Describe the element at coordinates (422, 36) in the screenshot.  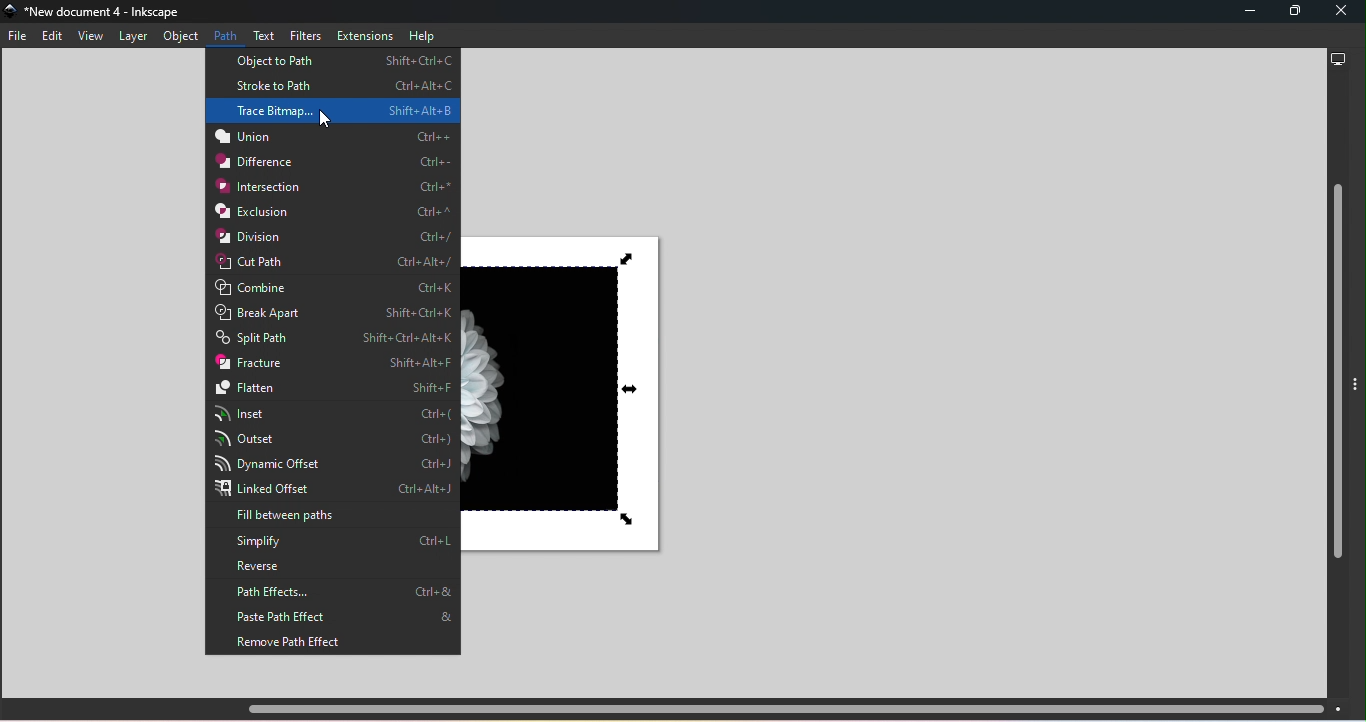
I see `Help` at that location.